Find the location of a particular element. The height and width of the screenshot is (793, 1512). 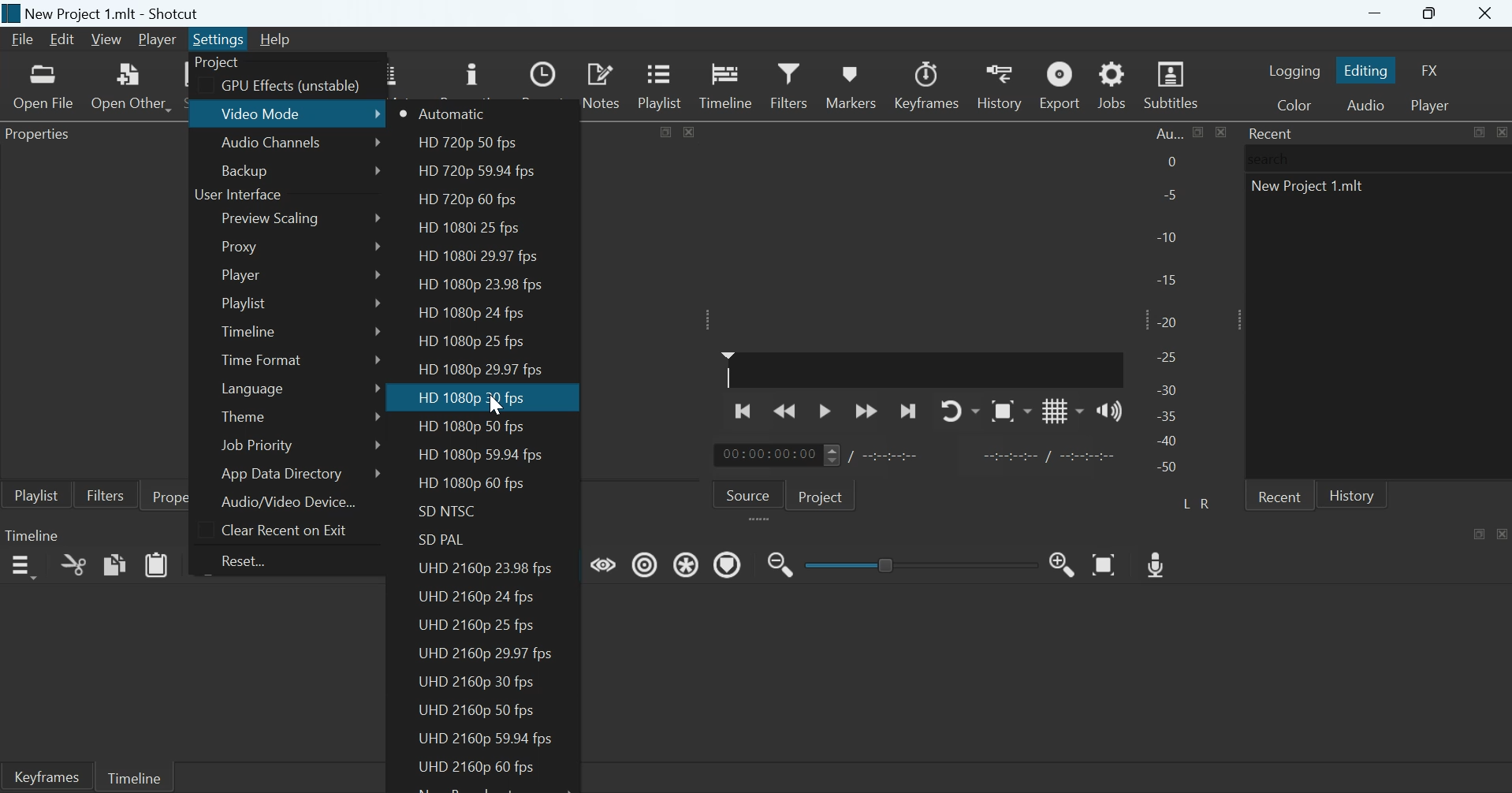

Switch to the Audio layout is located at coordinates (1365, 104).